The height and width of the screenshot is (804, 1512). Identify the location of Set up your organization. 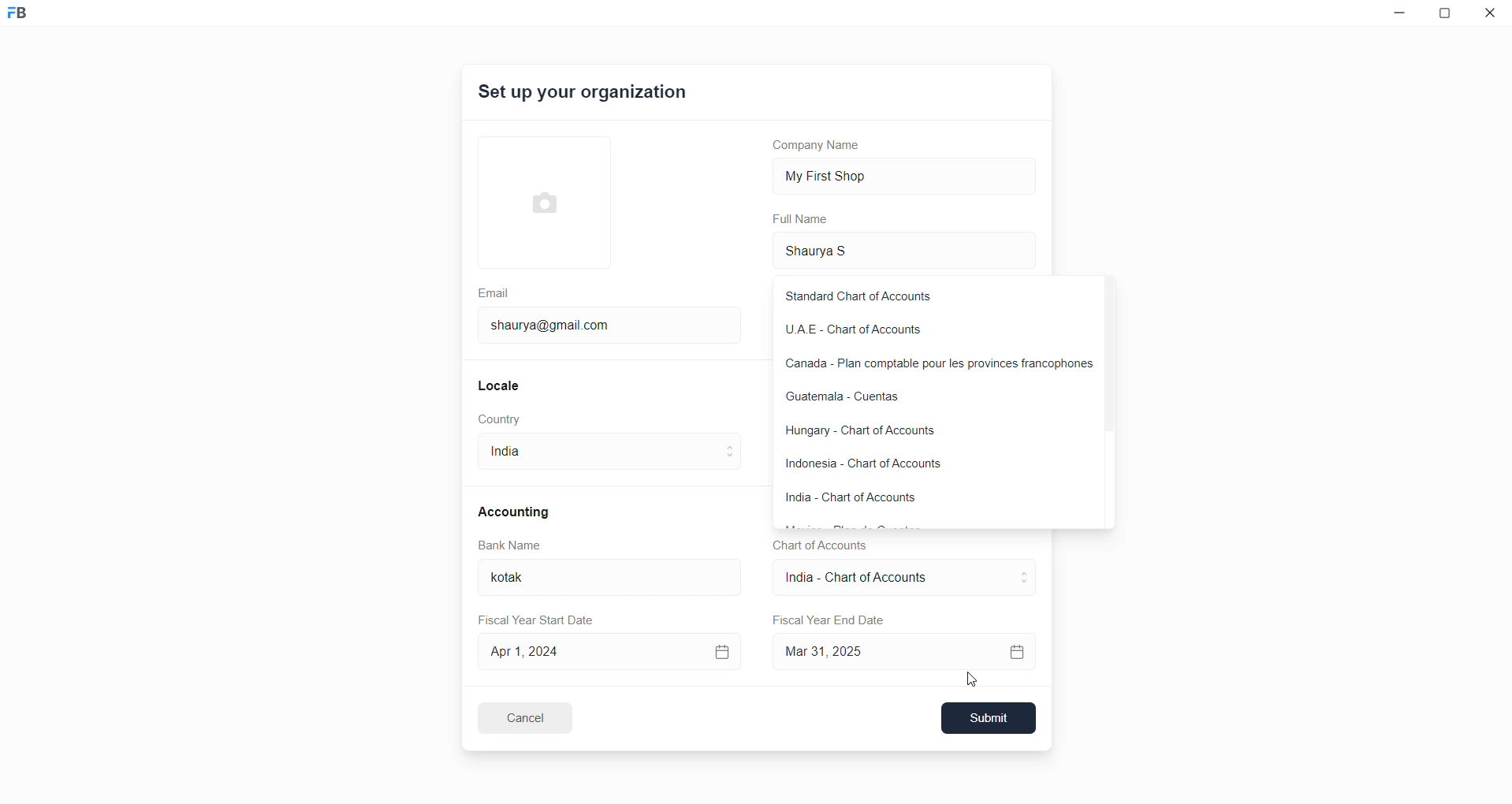
(584, 95).